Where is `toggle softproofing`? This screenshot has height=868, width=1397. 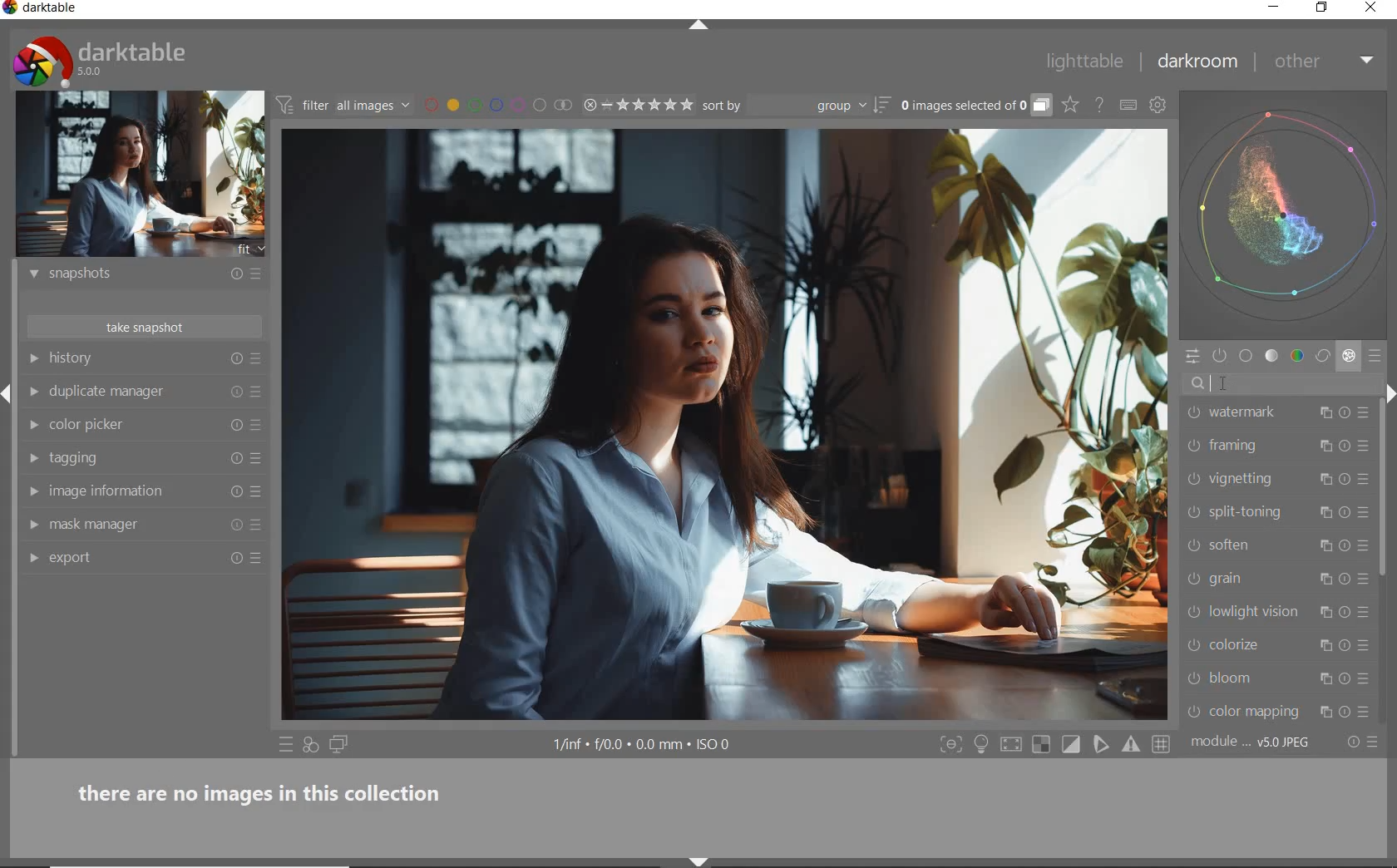 toggle softproofing is located at coordinates (1103, 747).